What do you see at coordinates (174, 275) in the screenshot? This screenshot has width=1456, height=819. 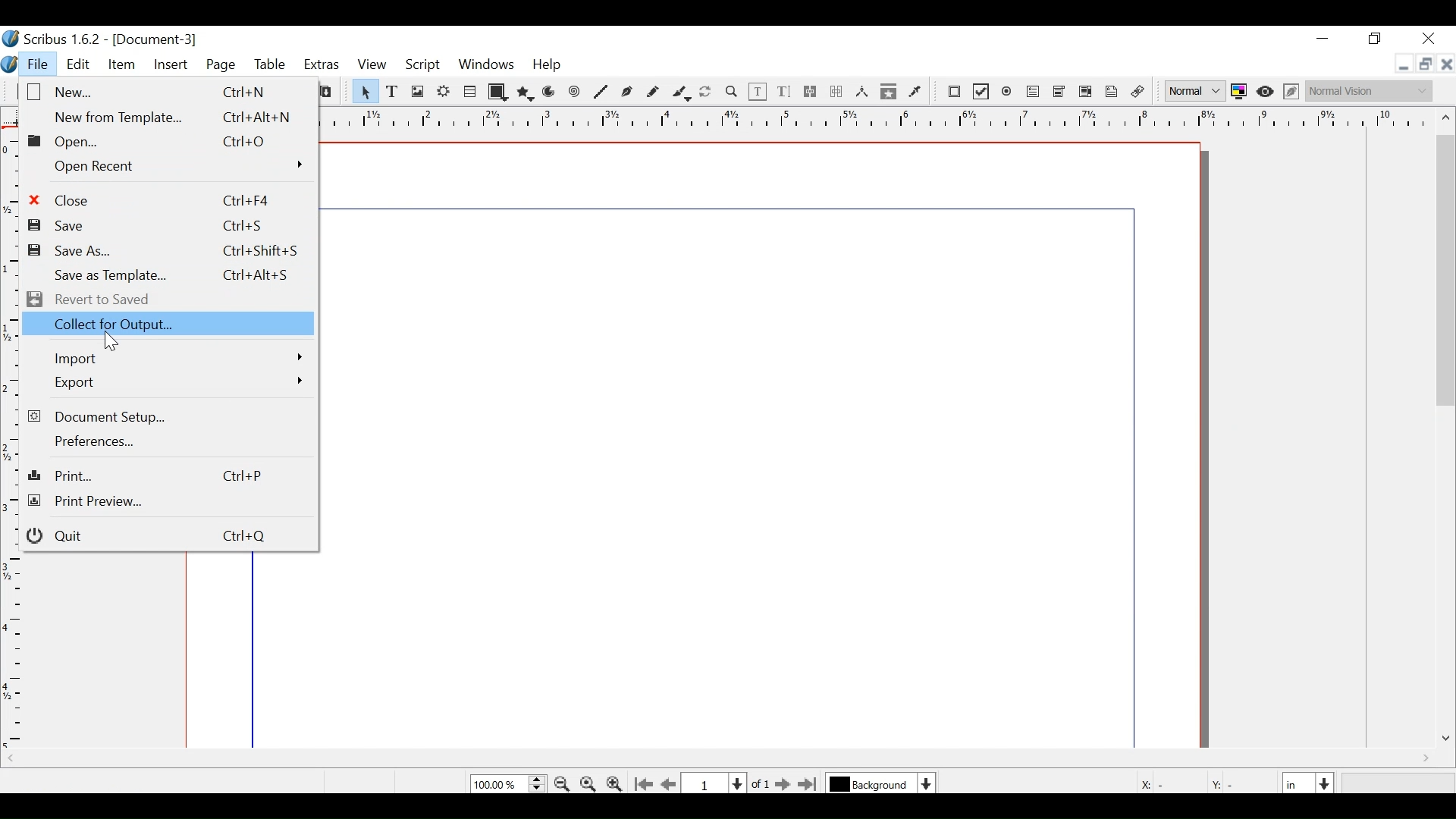 I see `Save As Template` at bounding box center [174, 275].